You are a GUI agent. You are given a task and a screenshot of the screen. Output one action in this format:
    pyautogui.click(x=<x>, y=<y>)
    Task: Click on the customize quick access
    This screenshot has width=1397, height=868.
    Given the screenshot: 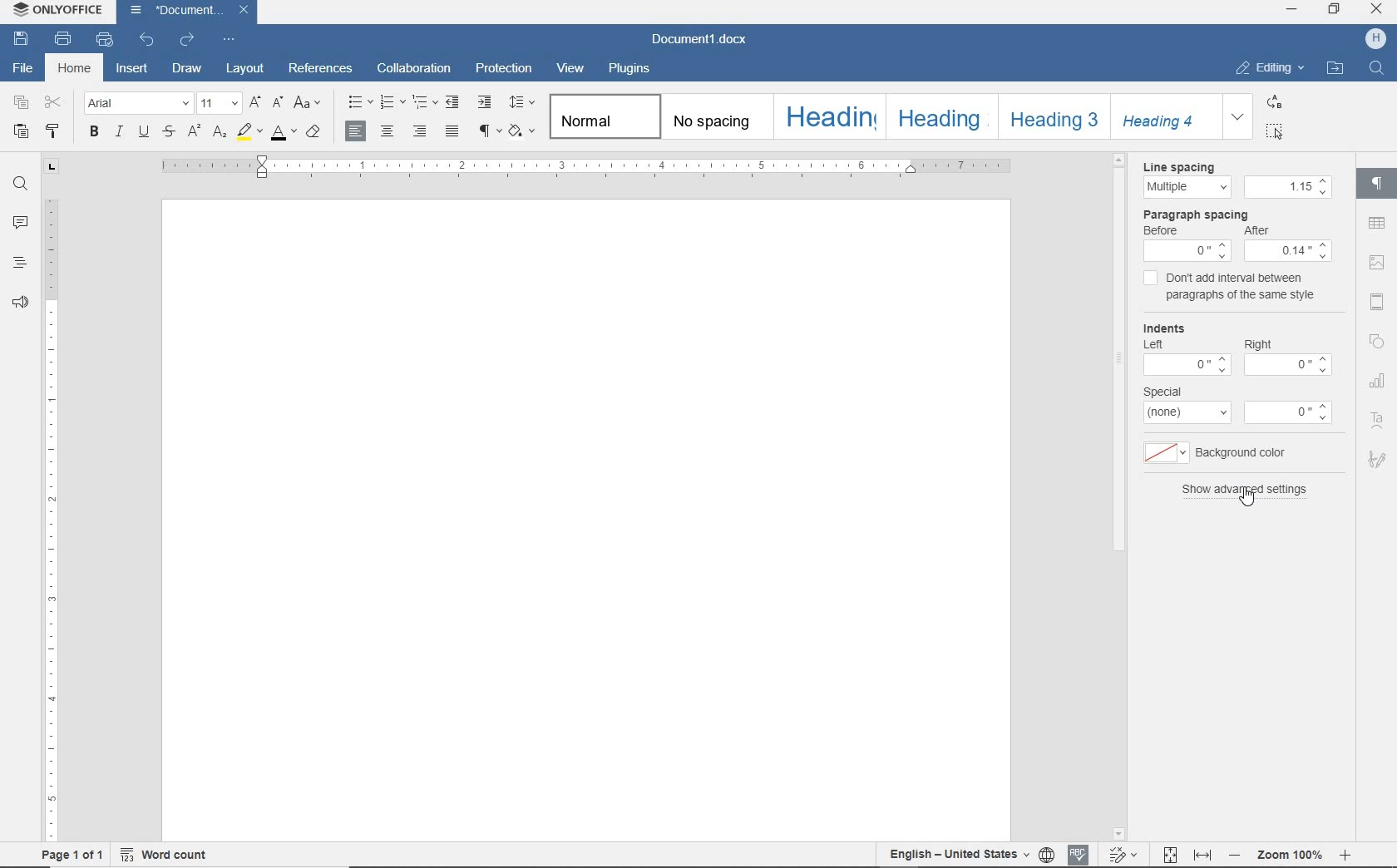 What is the action you would take?
    pyautogui.click(x=230, y=39)
    